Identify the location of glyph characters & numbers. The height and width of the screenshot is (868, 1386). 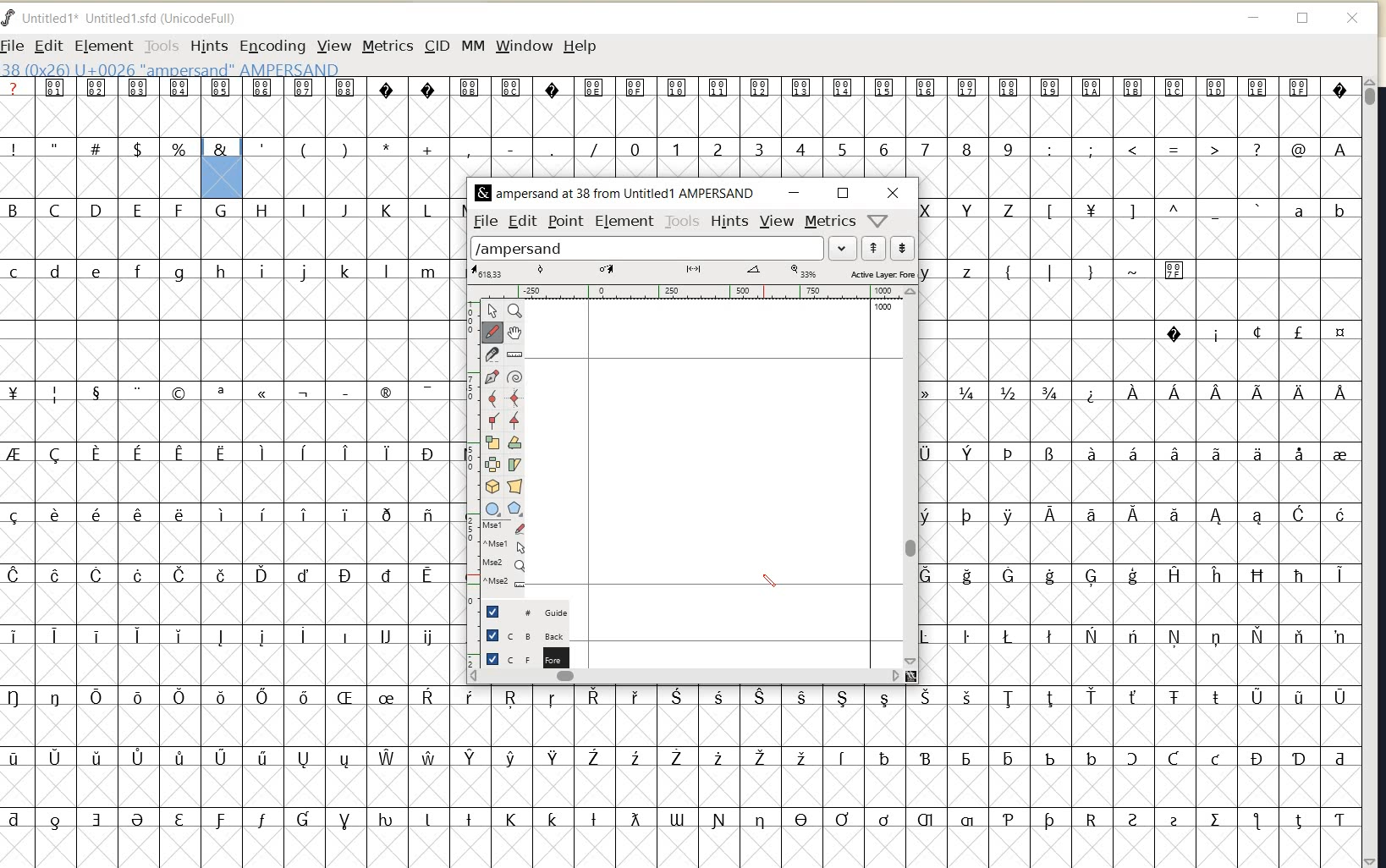
(802, 127).